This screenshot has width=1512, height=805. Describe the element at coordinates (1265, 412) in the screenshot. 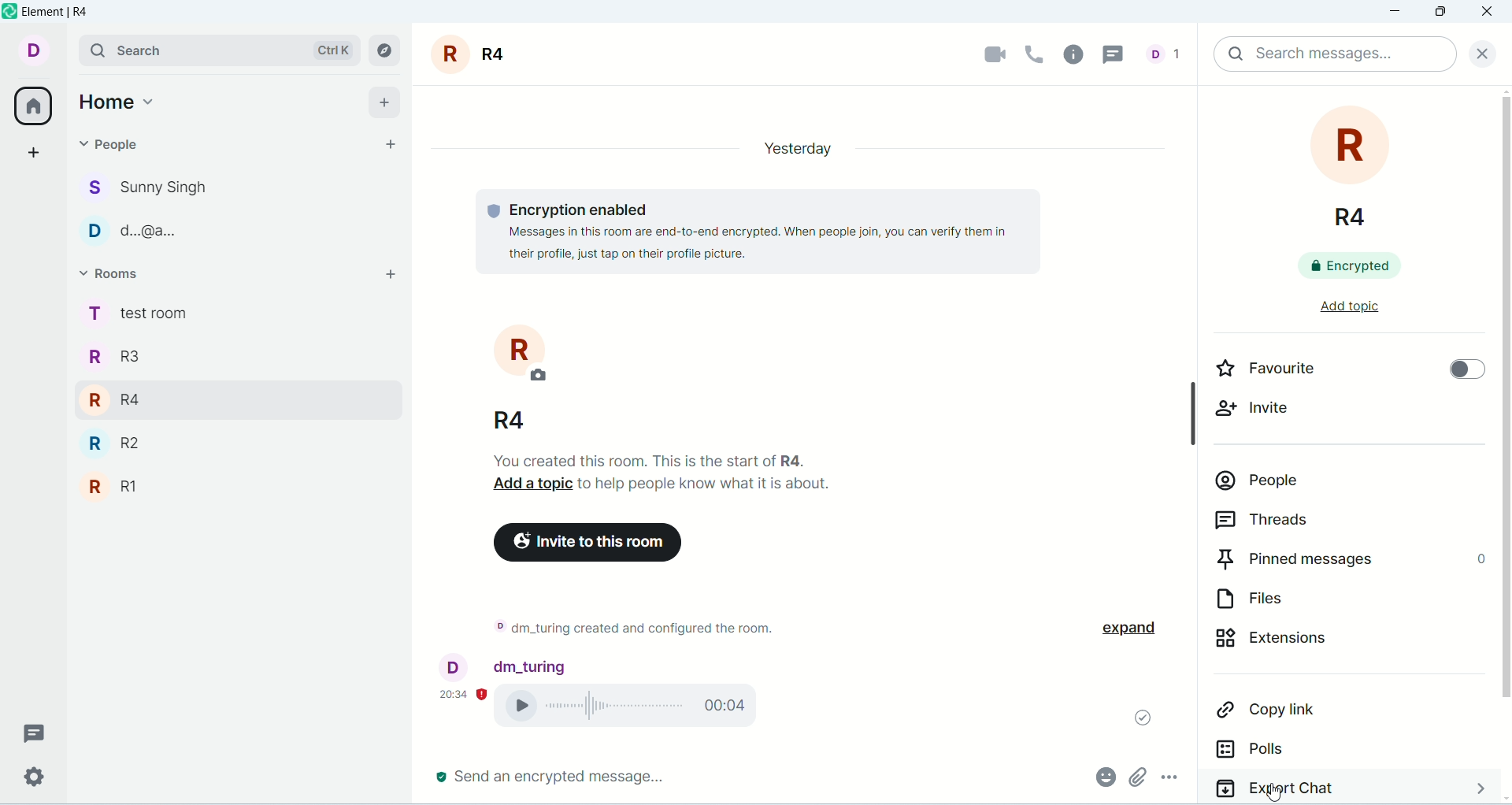

I see `invite` at that location.